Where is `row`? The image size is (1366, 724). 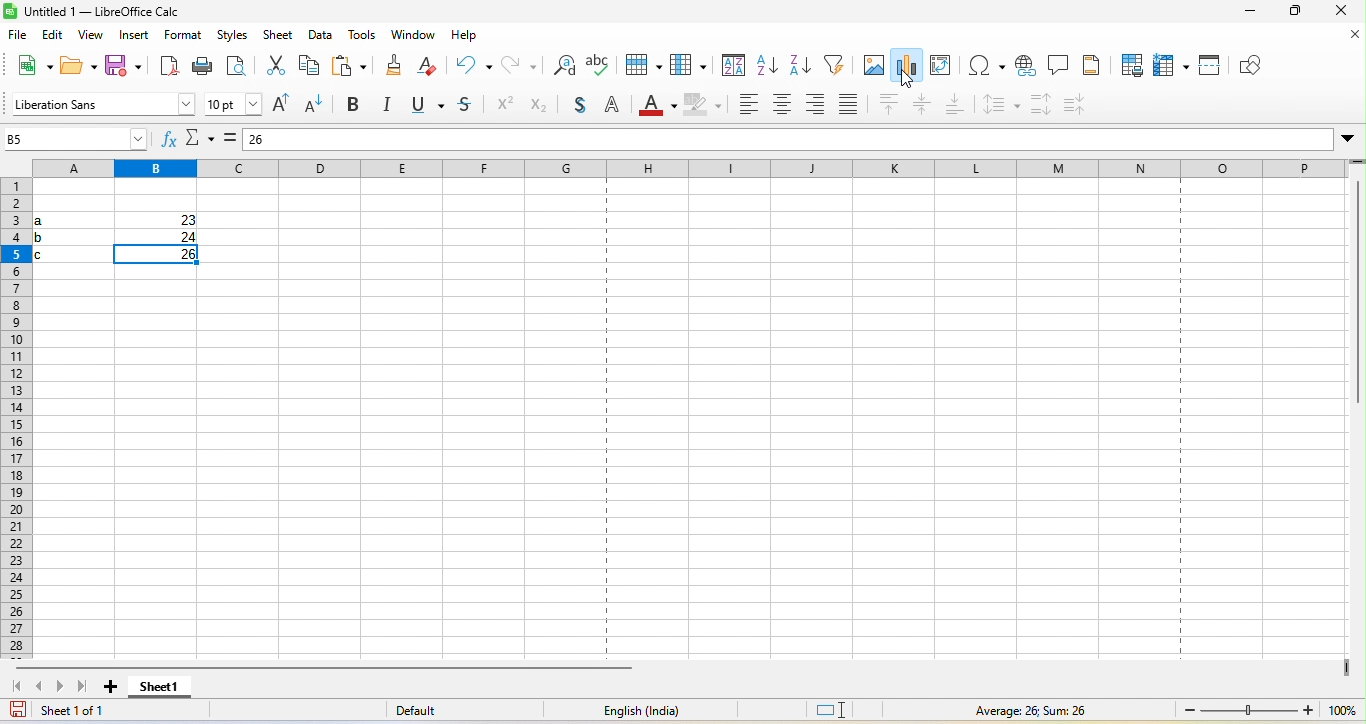
row is located at coordinates (18, 413).